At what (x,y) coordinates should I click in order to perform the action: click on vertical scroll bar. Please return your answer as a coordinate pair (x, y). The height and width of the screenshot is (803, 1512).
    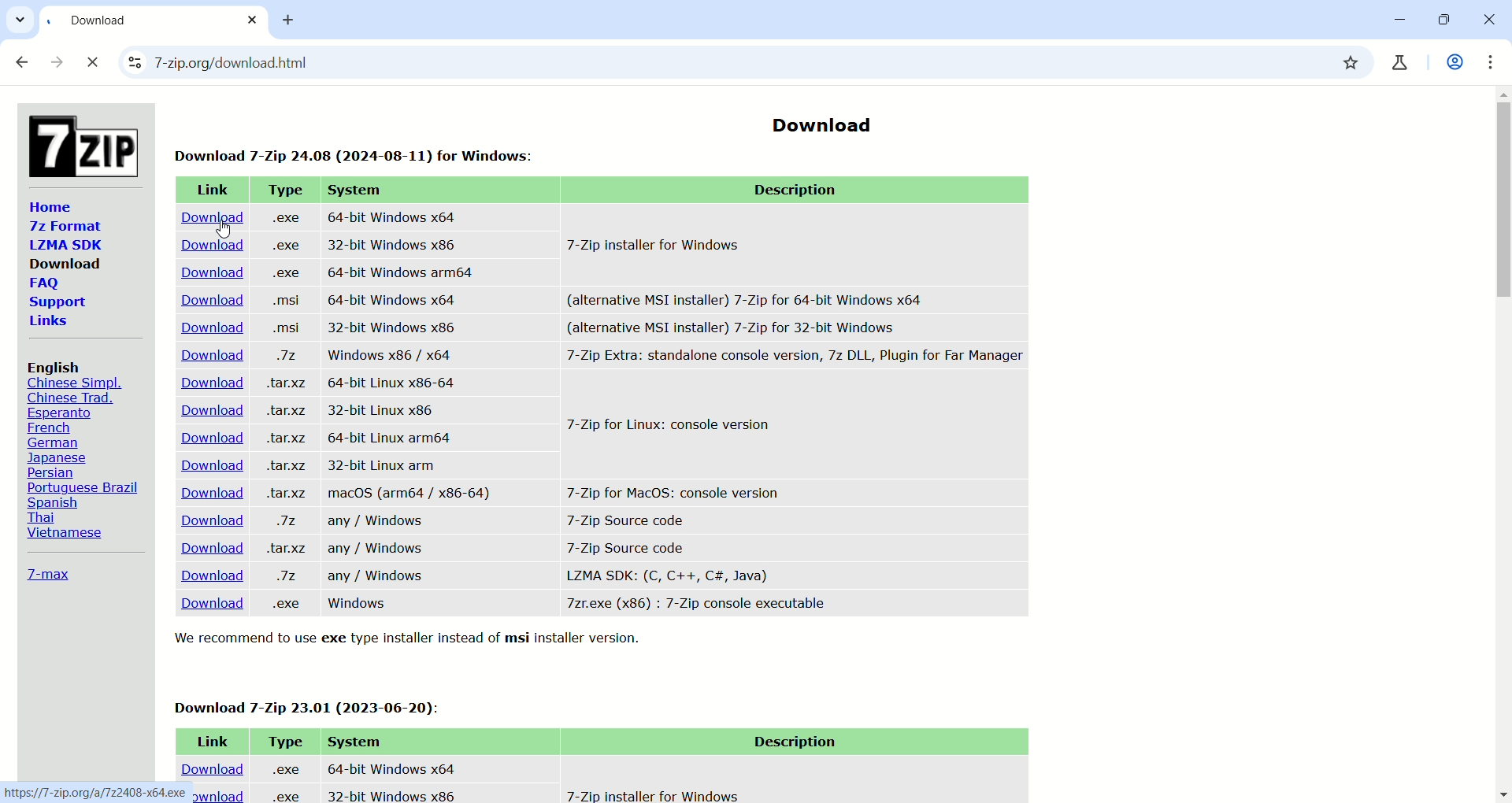
    Looking at the image, I should click on (1503, 443).